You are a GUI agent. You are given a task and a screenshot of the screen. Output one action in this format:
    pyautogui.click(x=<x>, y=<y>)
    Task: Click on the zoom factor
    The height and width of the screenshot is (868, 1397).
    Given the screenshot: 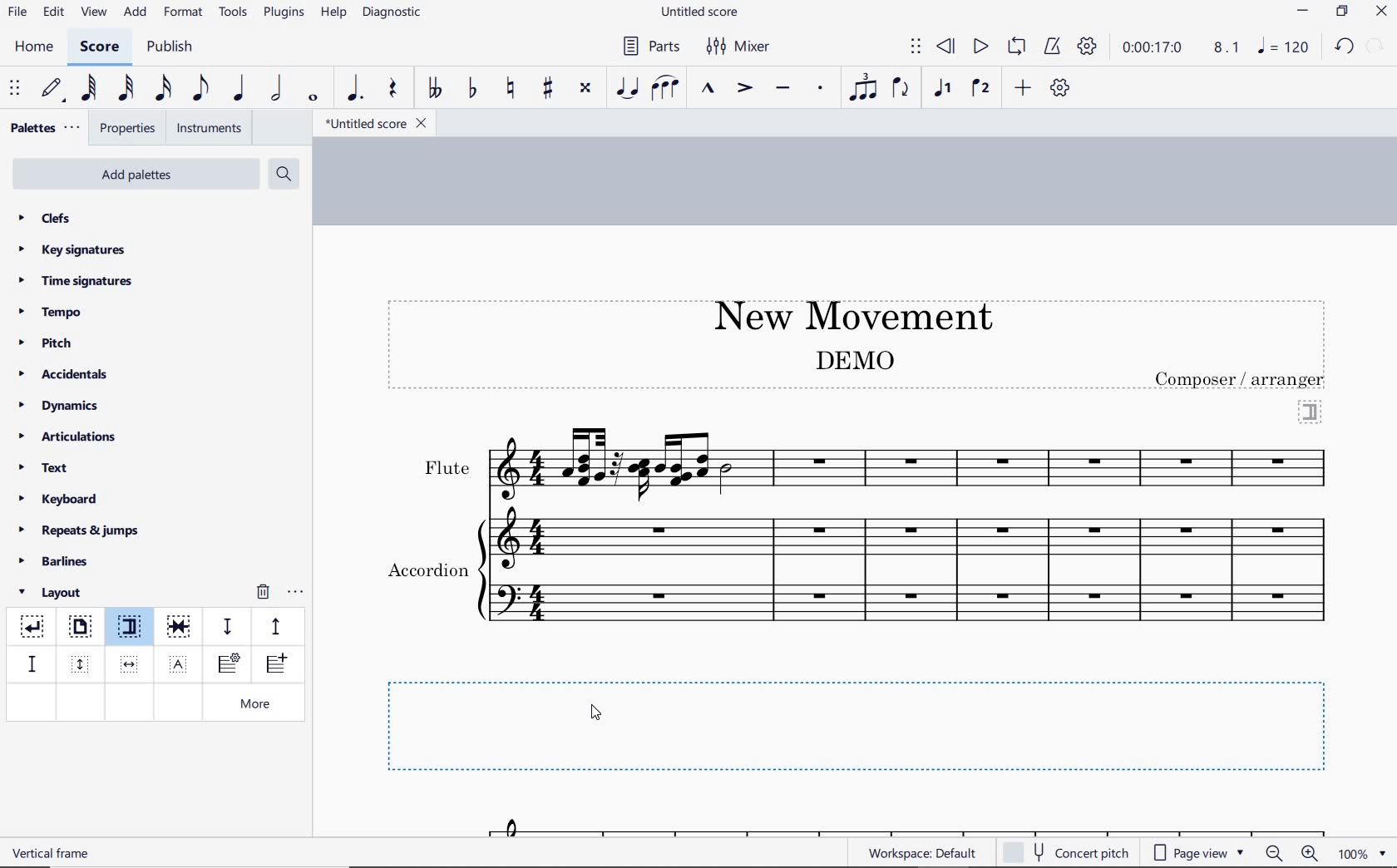 What is the action you would take?
    pyautogui.click(x=1362, y=853)
    